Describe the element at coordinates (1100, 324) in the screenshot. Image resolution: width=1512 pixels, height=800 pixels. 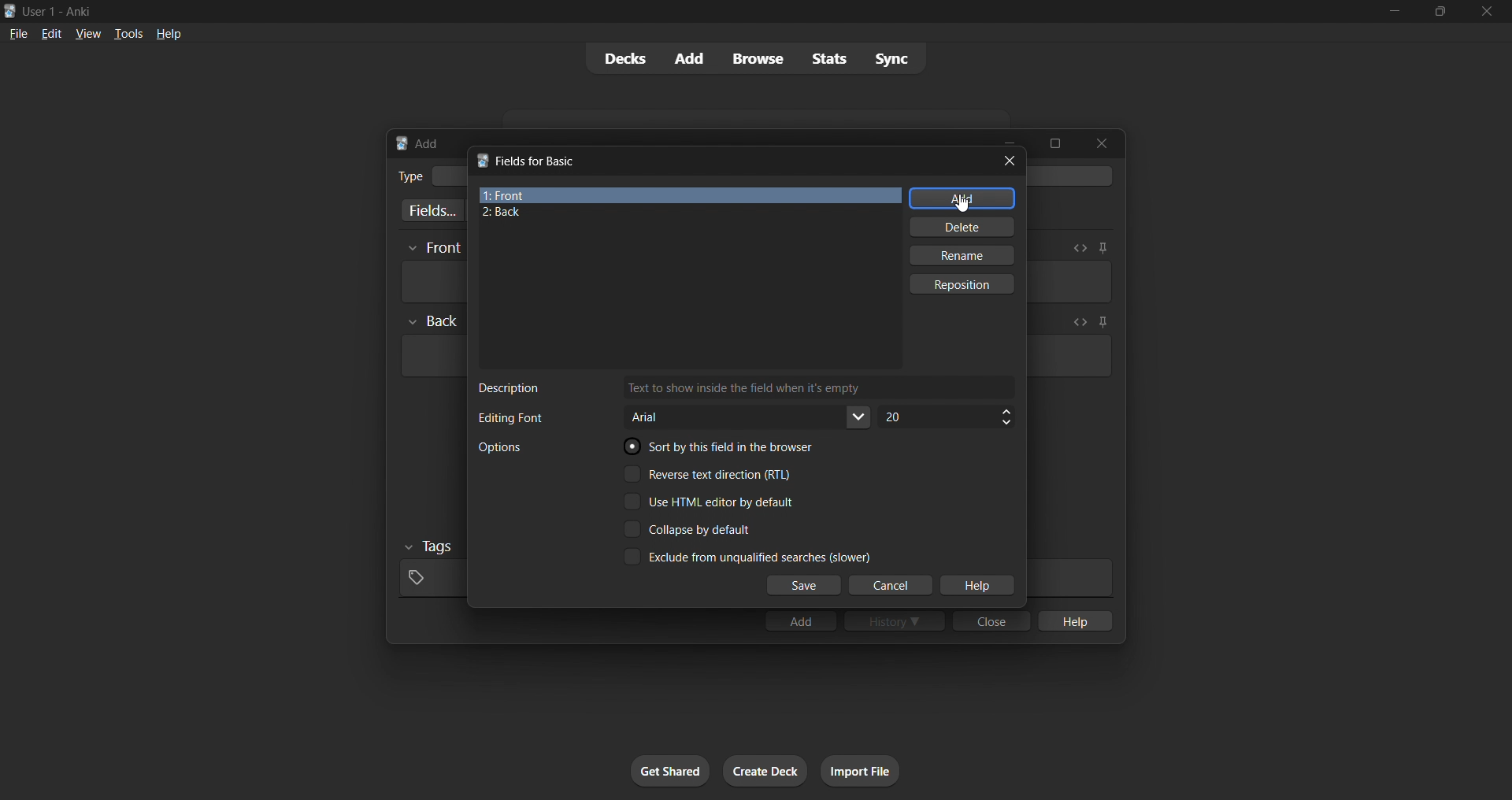
I see `Toggle sticky` at that location.